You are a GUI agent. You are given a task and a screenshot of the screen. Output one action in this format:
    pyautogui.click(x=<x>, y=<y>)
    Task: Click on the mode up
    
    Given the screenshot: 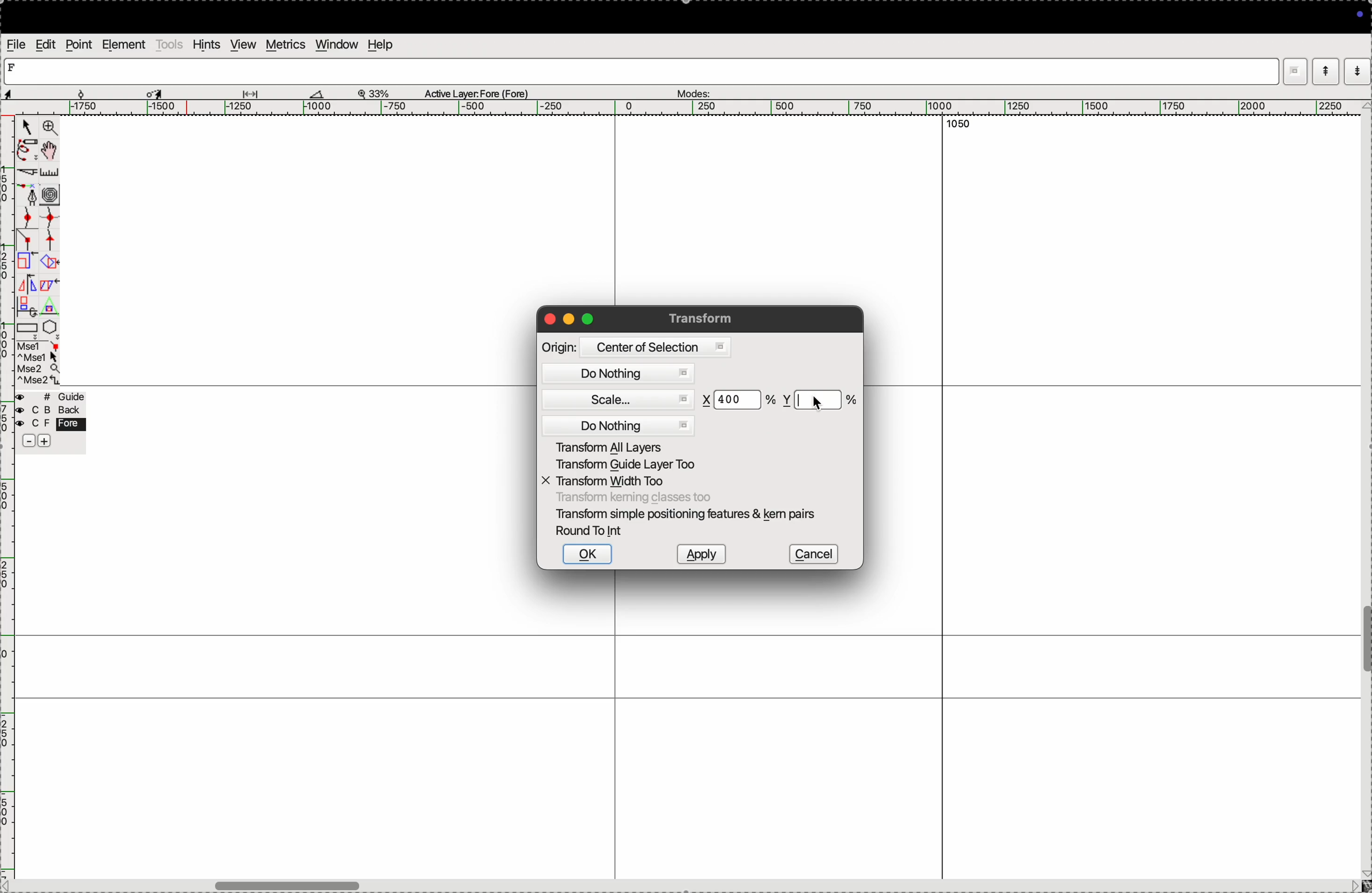 What is the action you would take?
    pyautogui.click(x=1324, y=71)
    